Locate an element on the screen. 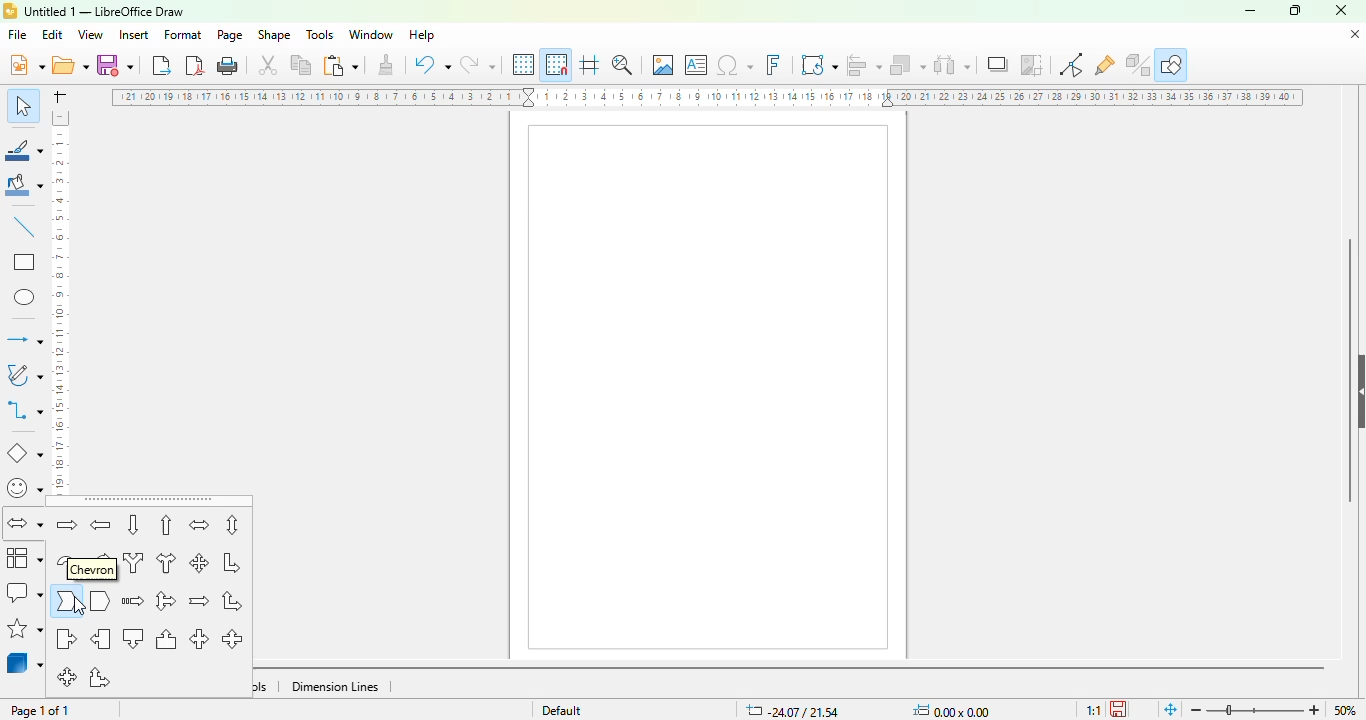 This screenshot has width=1366, height=720. ellipse is located at coordinates (26, 298).